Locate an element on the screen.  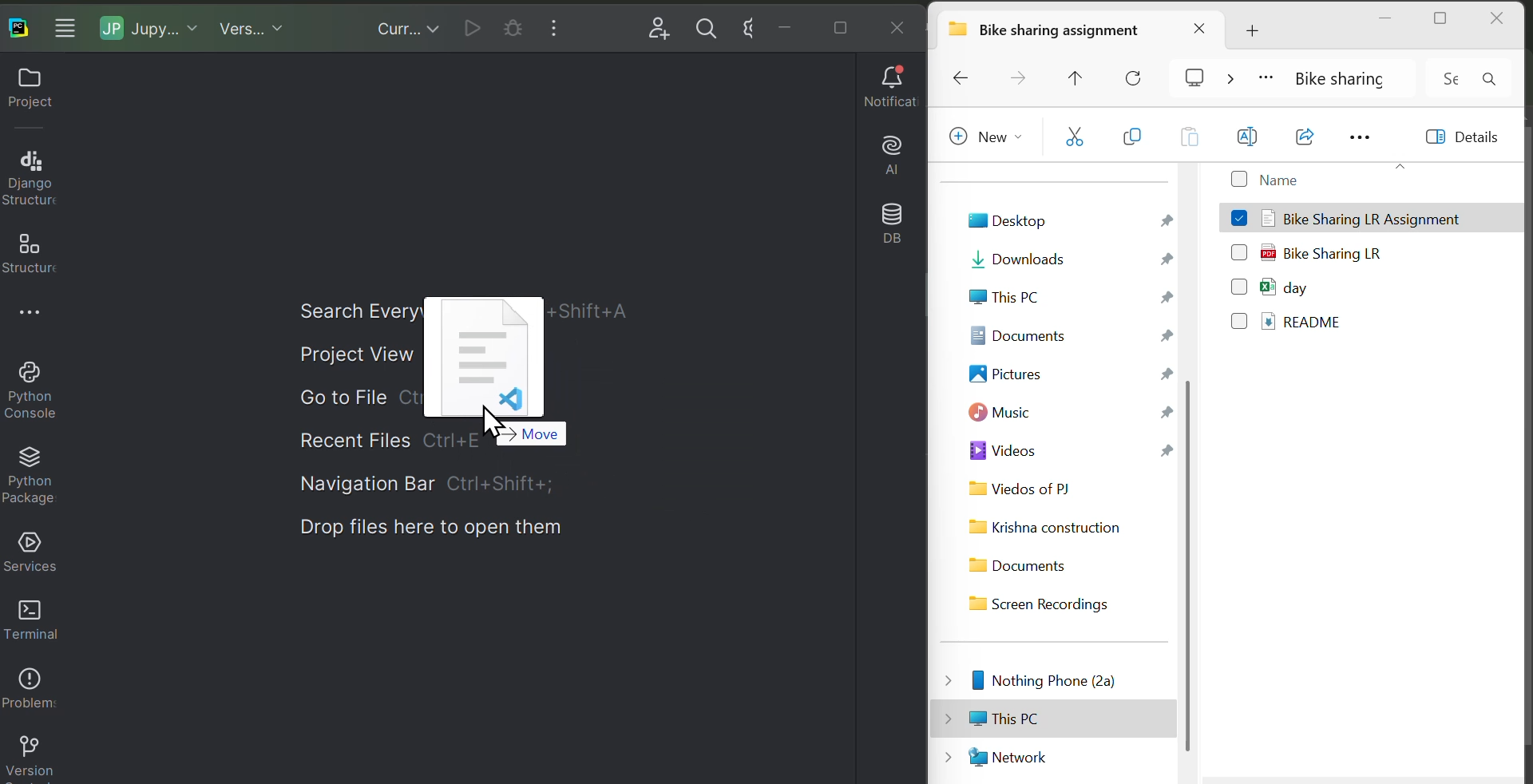
Add user is located at coordinates (651, 27).